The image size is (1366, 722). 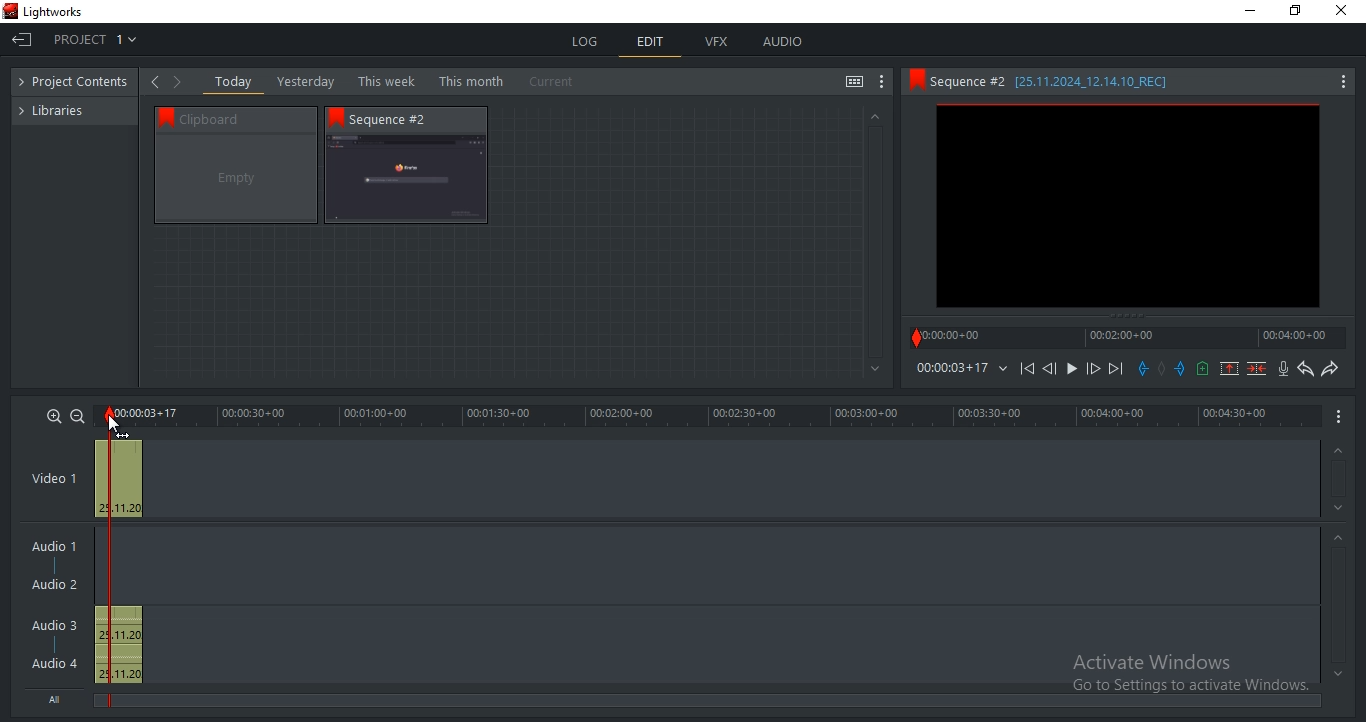 I want to click on Close, so click(x=1345, y=11).